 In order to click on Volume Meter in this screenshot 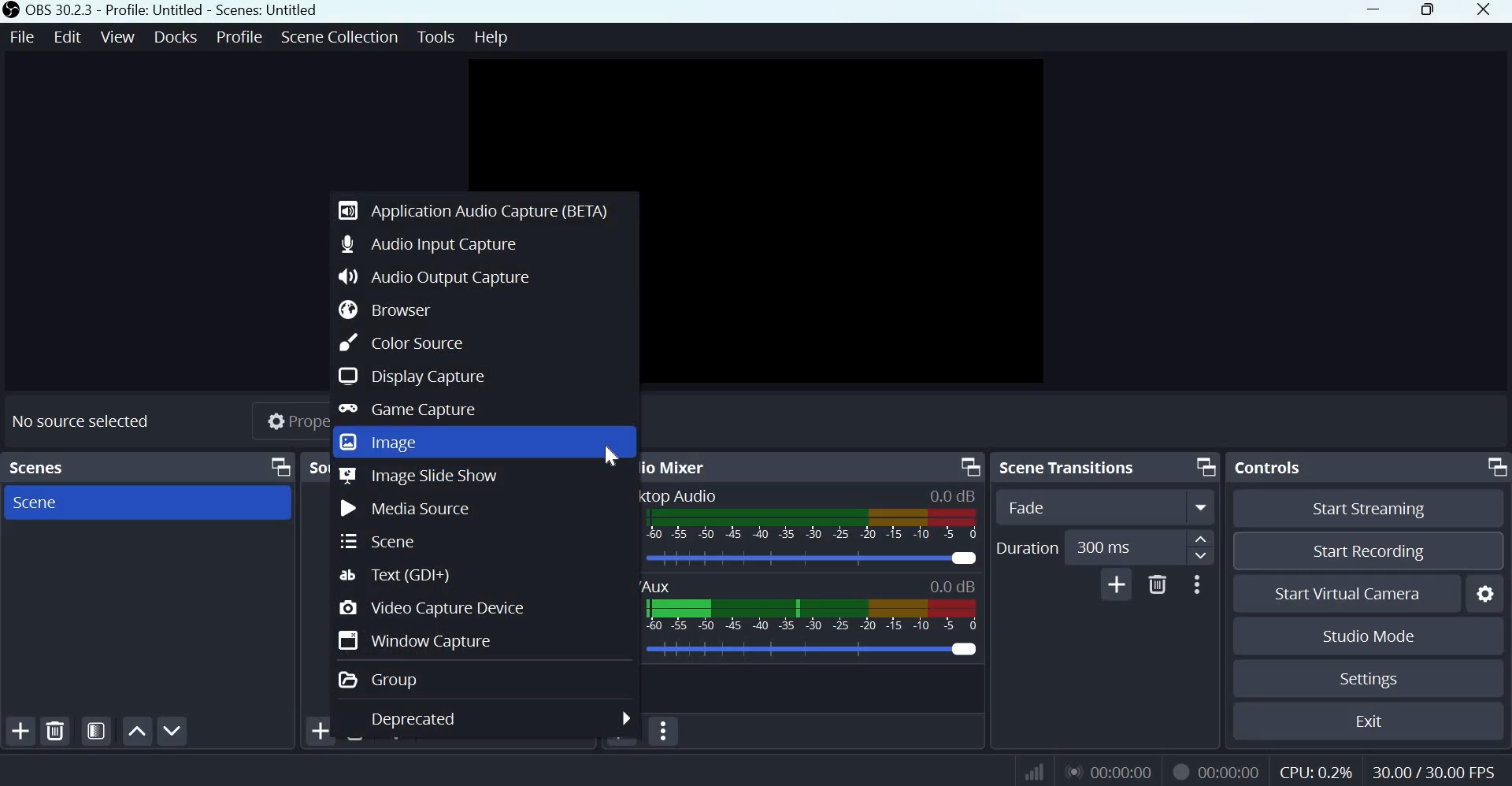, I will do `click(813, 616)`.